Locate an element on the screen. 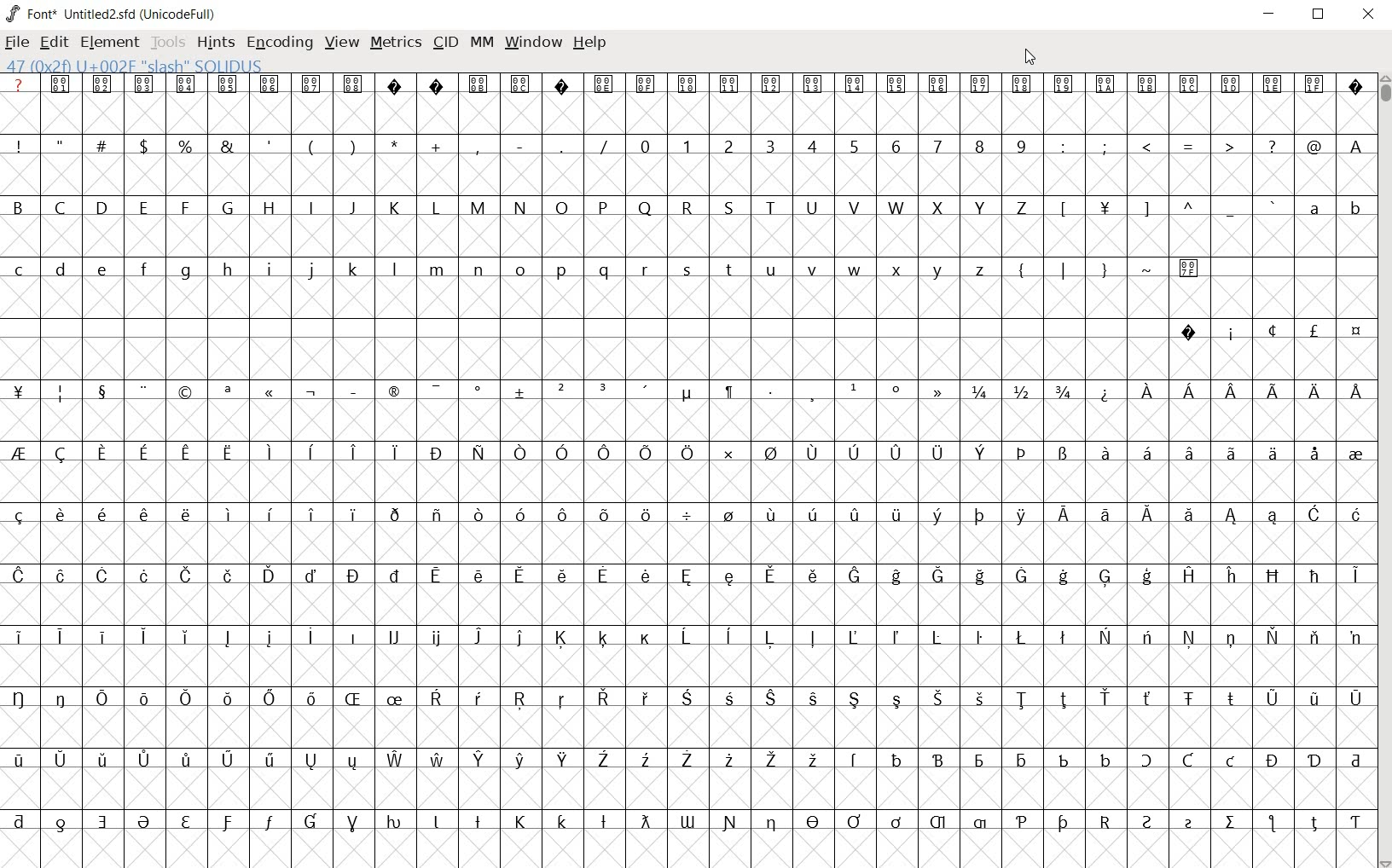 The height and width of the screenshot is (868, 1392). capital letters A - Z is located at coordinates (530, 208).